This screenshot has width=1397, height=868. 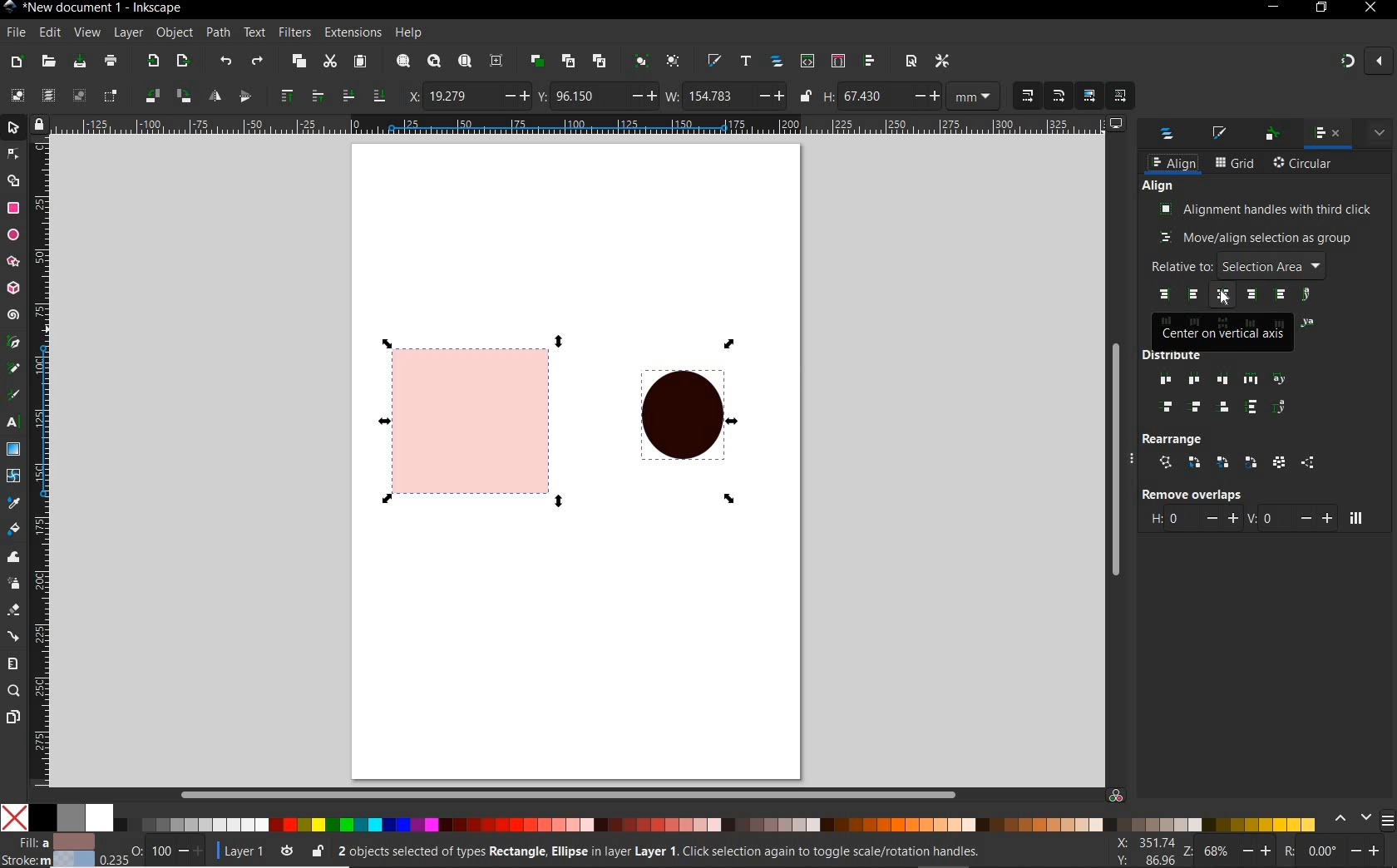 What do you see at coordinates (1150, 852) in the screenshot?
I see `xy coordinates` at bounding box center [1150, 852].